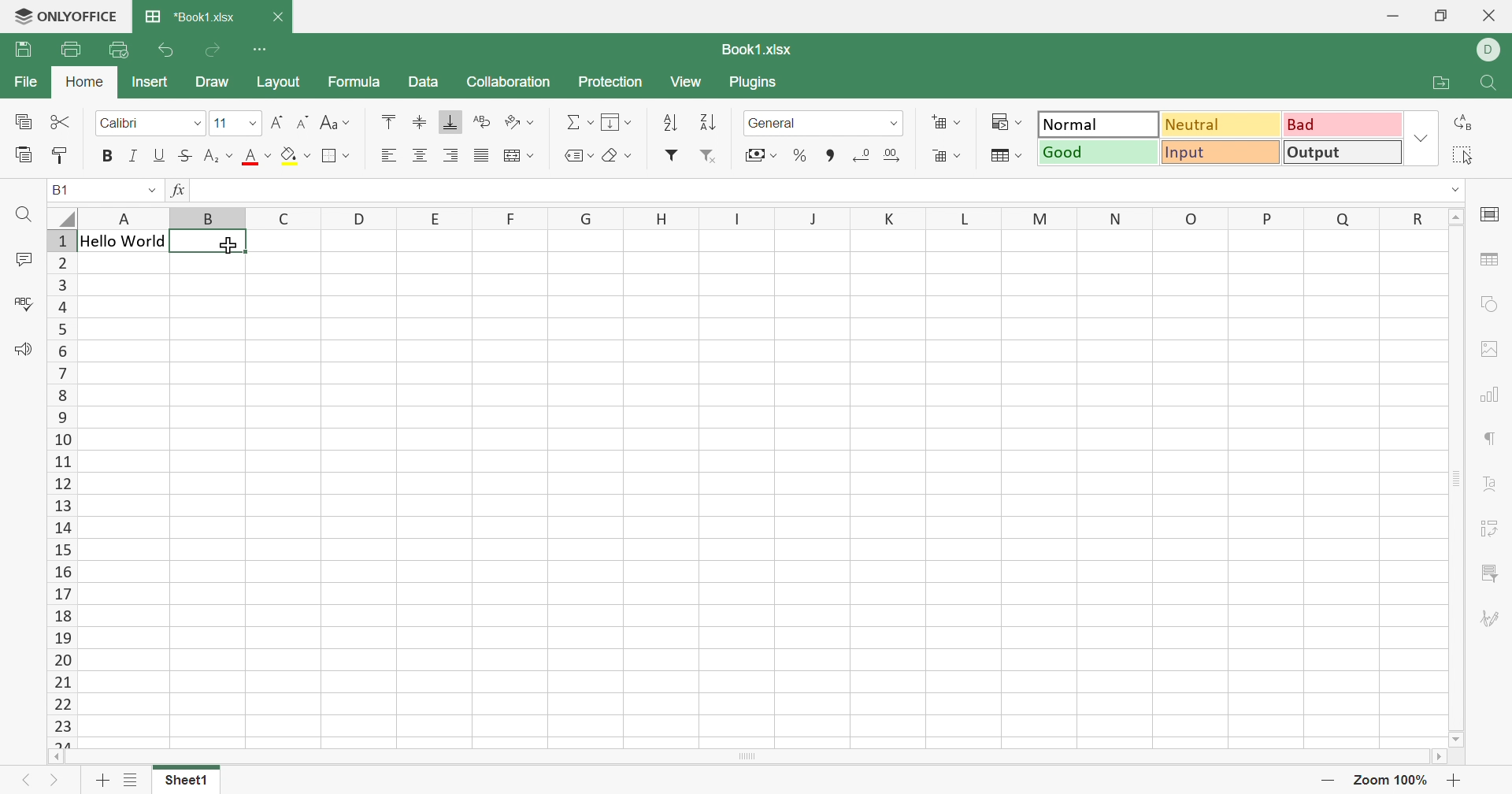 Image resolution: width=1512 pixels, height=794 pixels. I want to click on Wrap text, so click(518, 156).